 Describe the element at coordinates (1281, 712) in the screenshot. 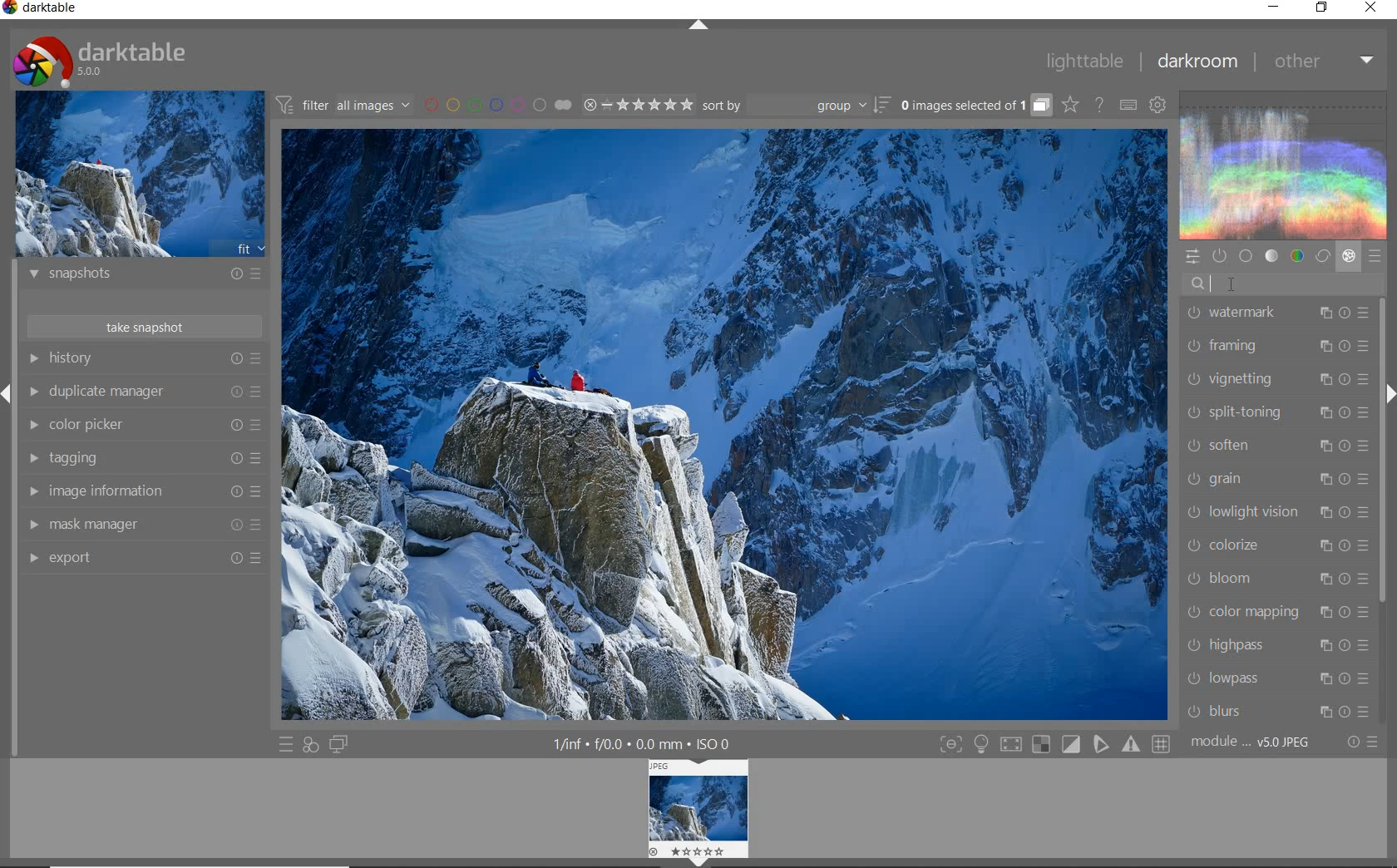

I see `blurs` at that location.